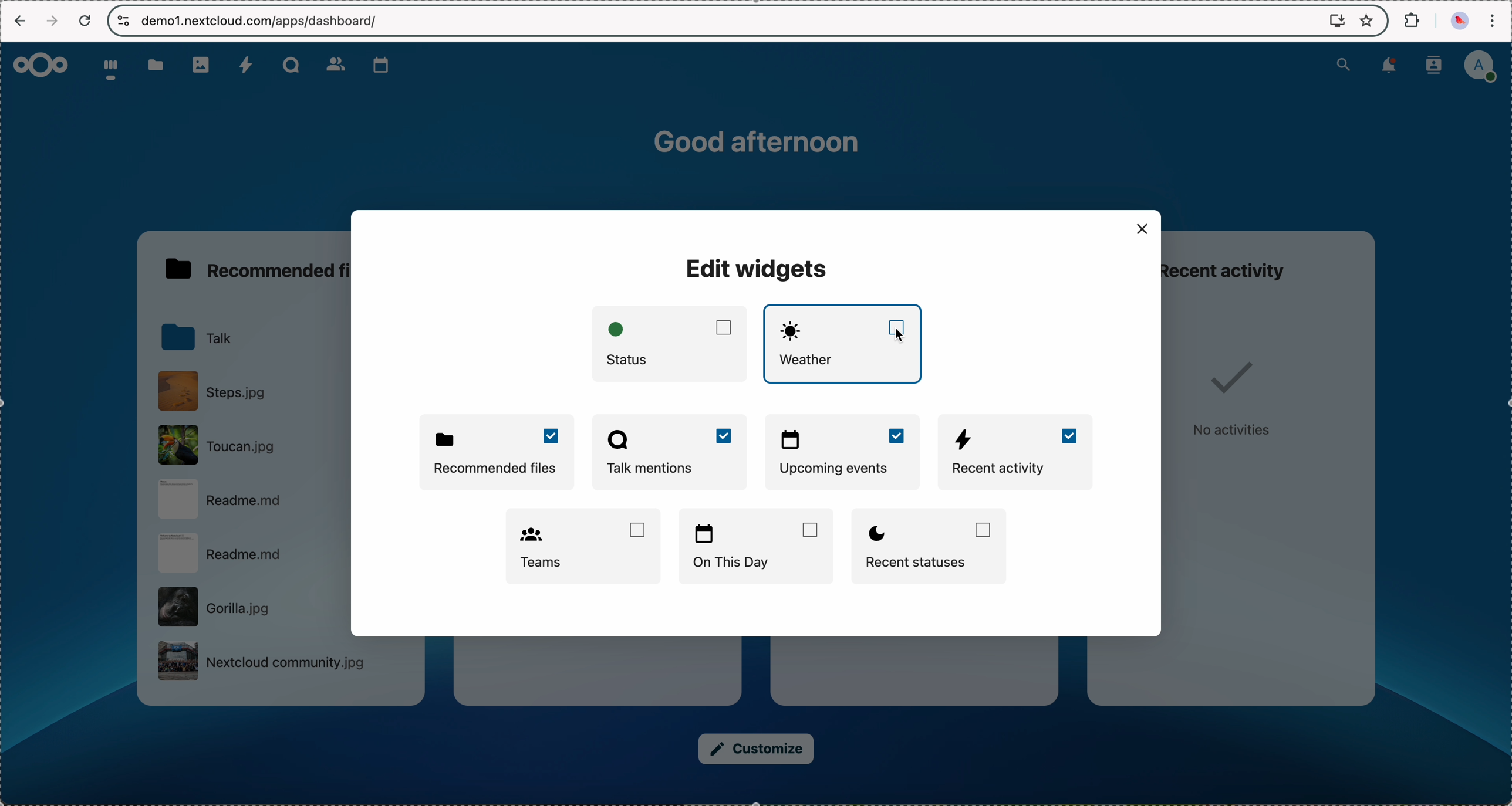 The image size is (1512, 806). I want to click on folder, so click(199, 339).